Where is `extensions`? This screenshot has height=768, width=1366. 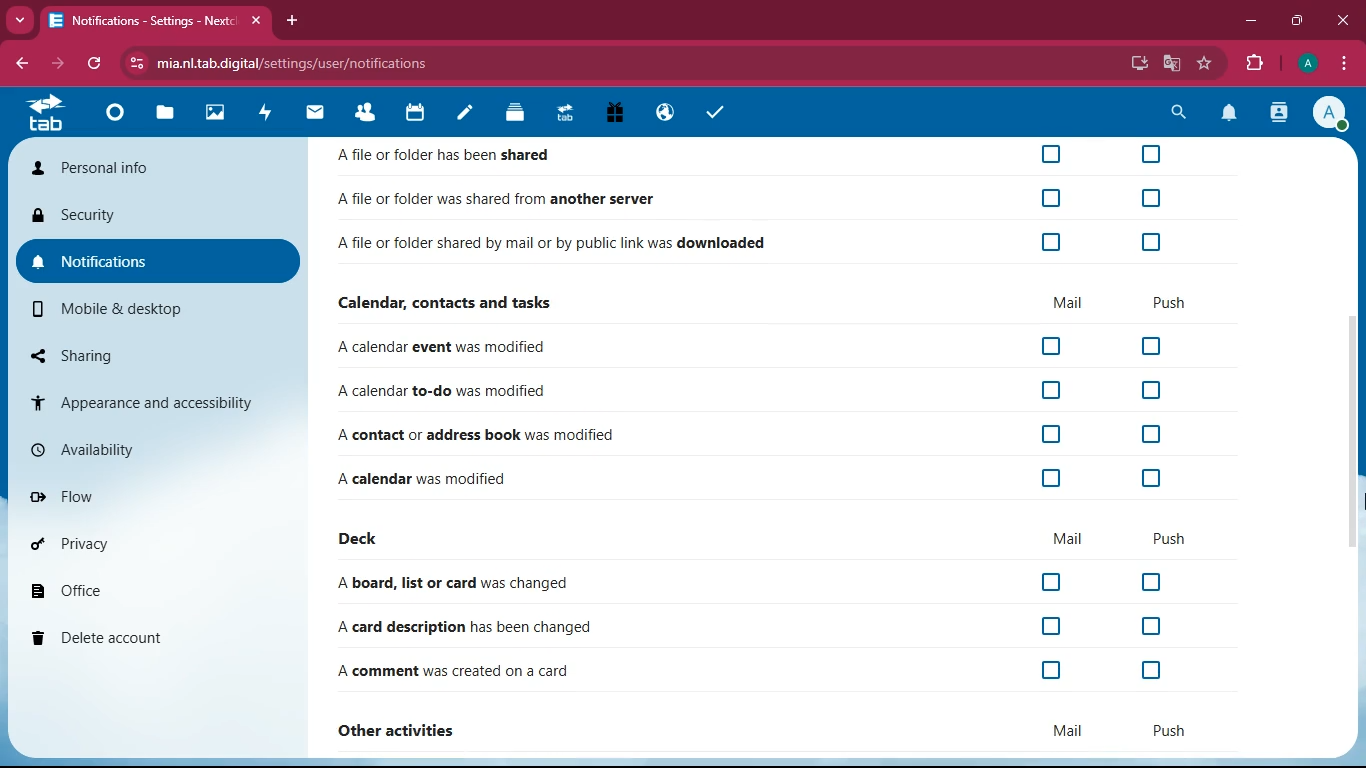
extensions is located at coordinates (1253, 65).